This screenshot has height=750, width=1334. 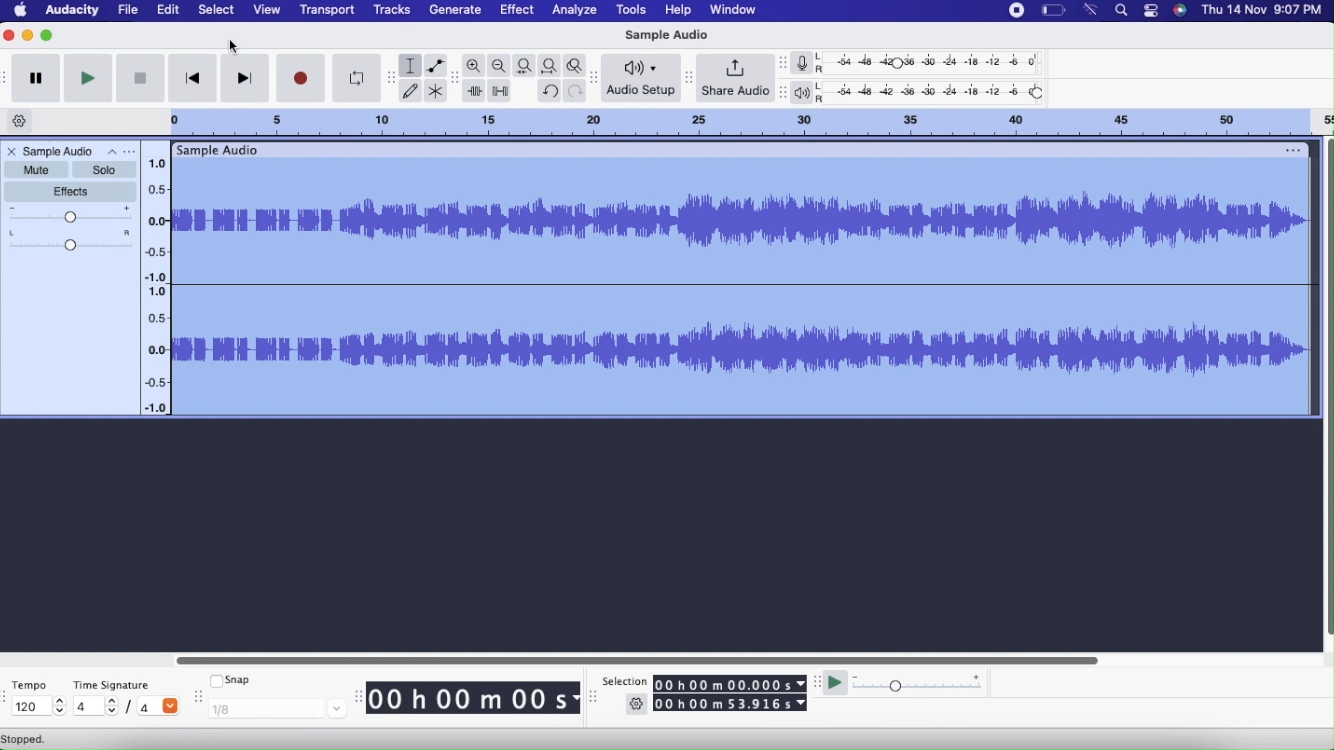 I want to click on Tools, so click(x=632, y=11).